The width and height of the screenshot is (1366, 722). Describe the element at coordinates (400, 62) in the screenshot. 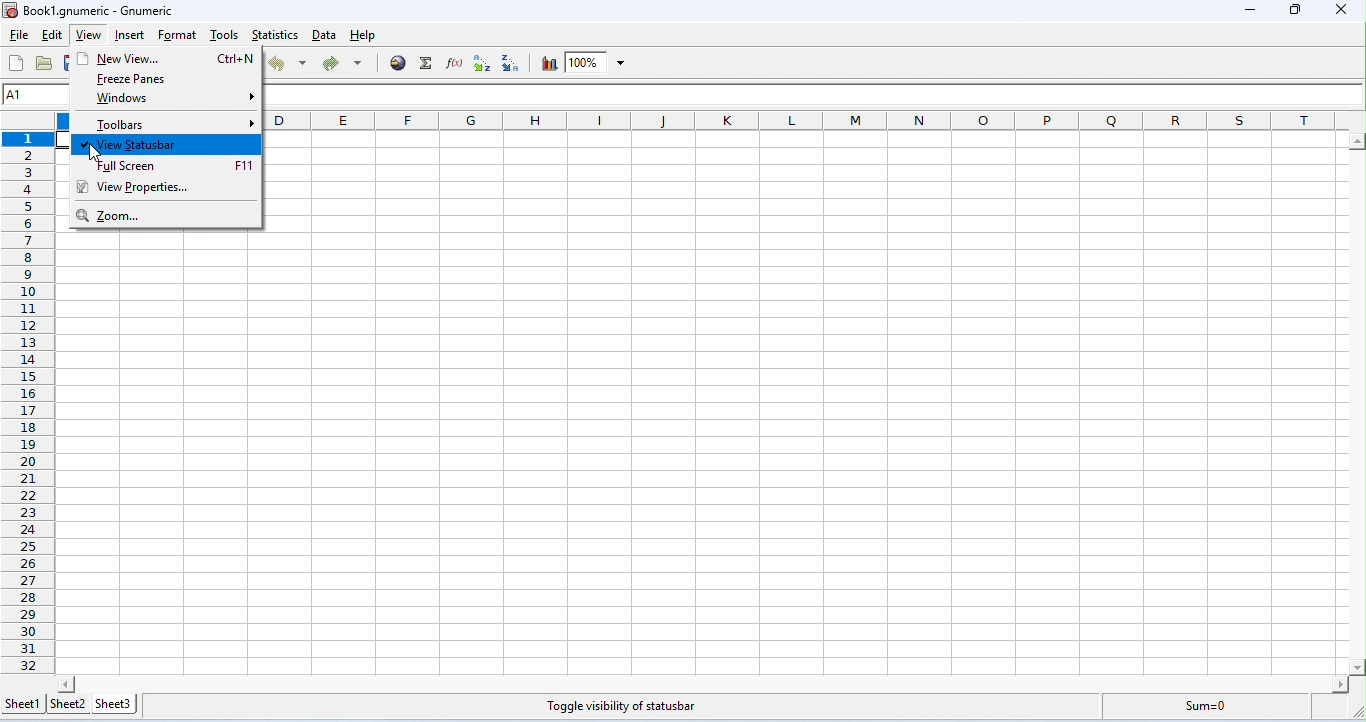

I see `insert hyper link` at that location.